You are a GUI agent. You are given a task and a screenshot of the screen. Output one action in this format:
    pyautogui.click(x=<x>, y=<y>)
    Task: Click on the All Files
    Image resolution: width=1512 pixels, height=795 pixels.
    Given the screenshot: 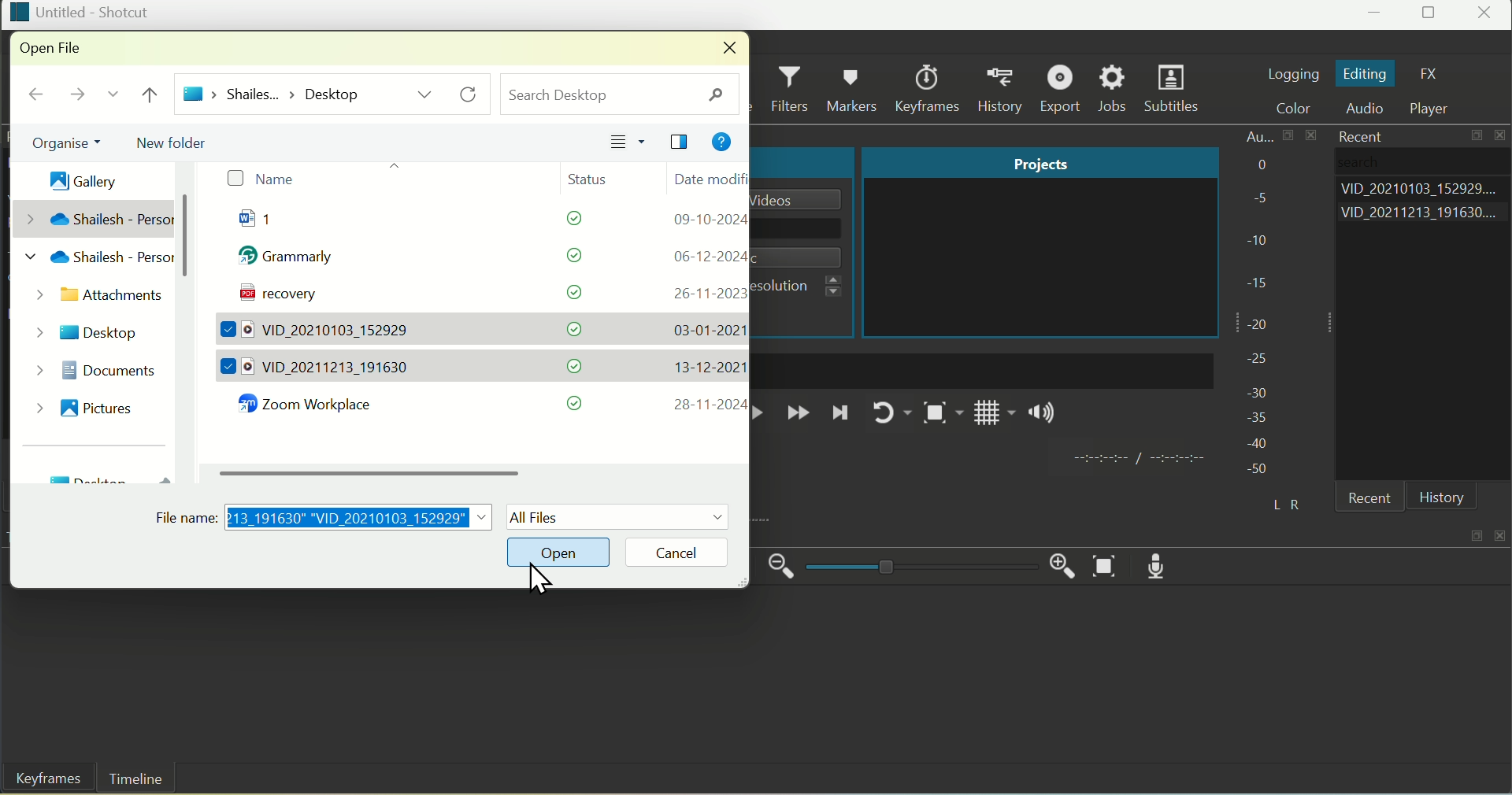 What is the action you would take?
    pyautogui.click(x=618, y=516)
    